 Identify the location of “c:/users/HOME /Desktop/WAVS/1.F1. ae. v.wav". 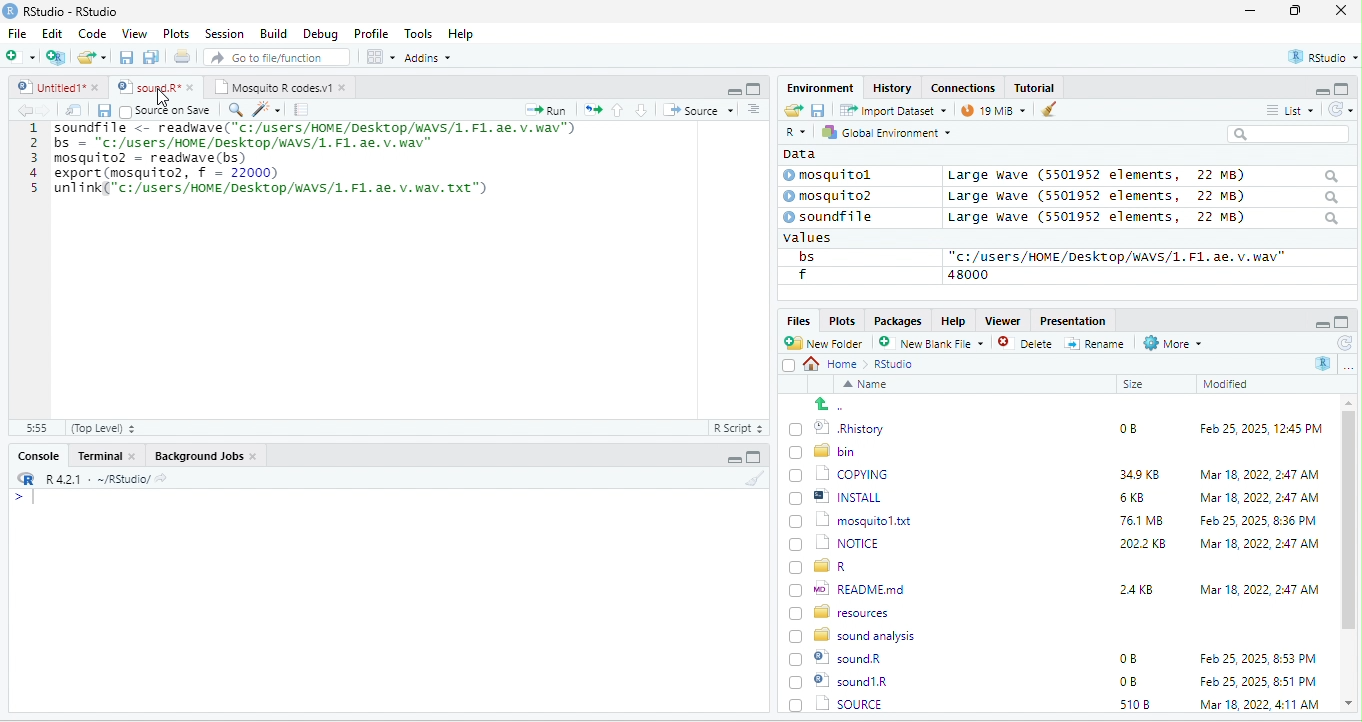
(1117, 256).